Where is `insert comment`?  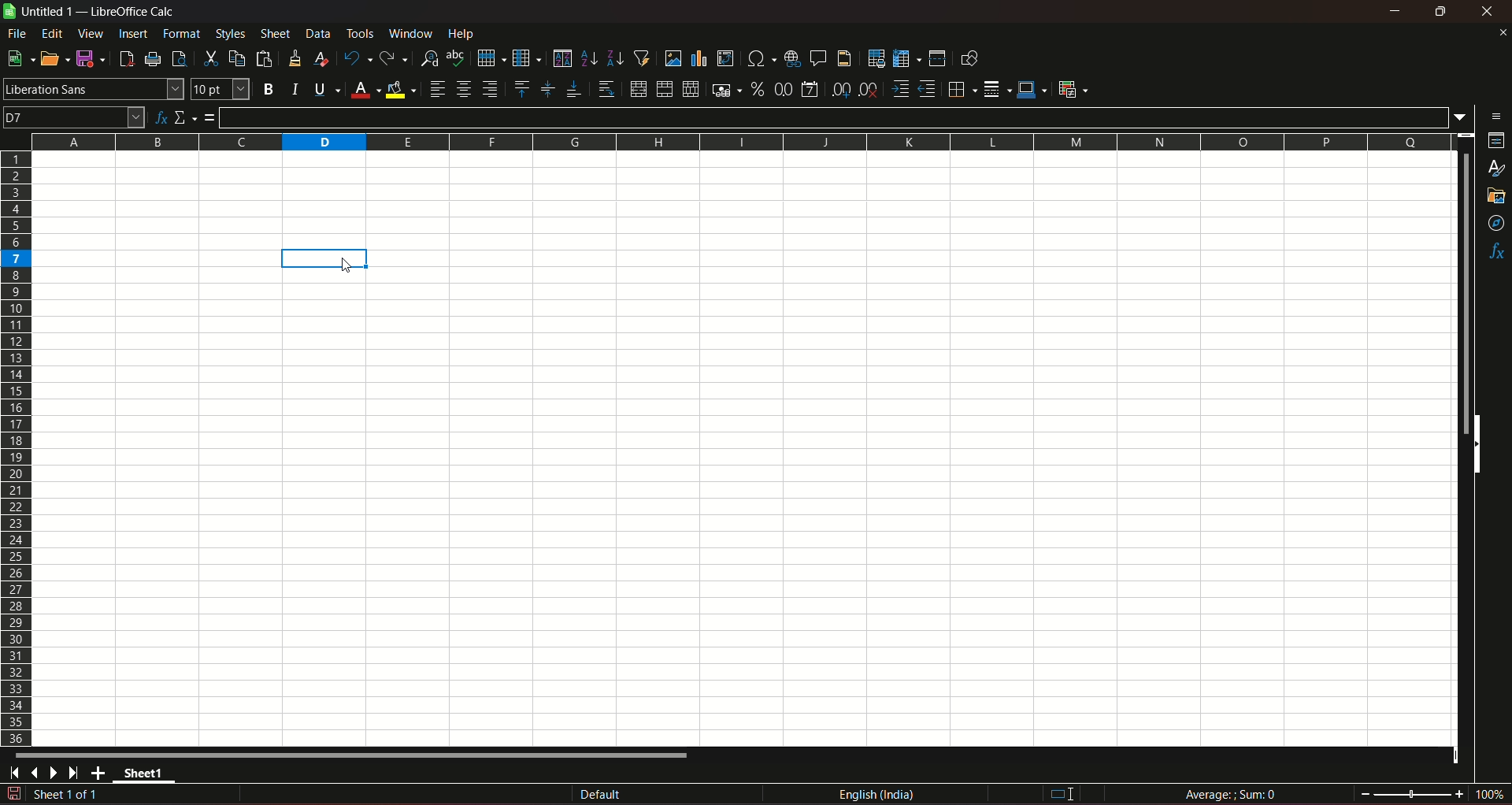
insert comment is located at coordinates (817, 57).